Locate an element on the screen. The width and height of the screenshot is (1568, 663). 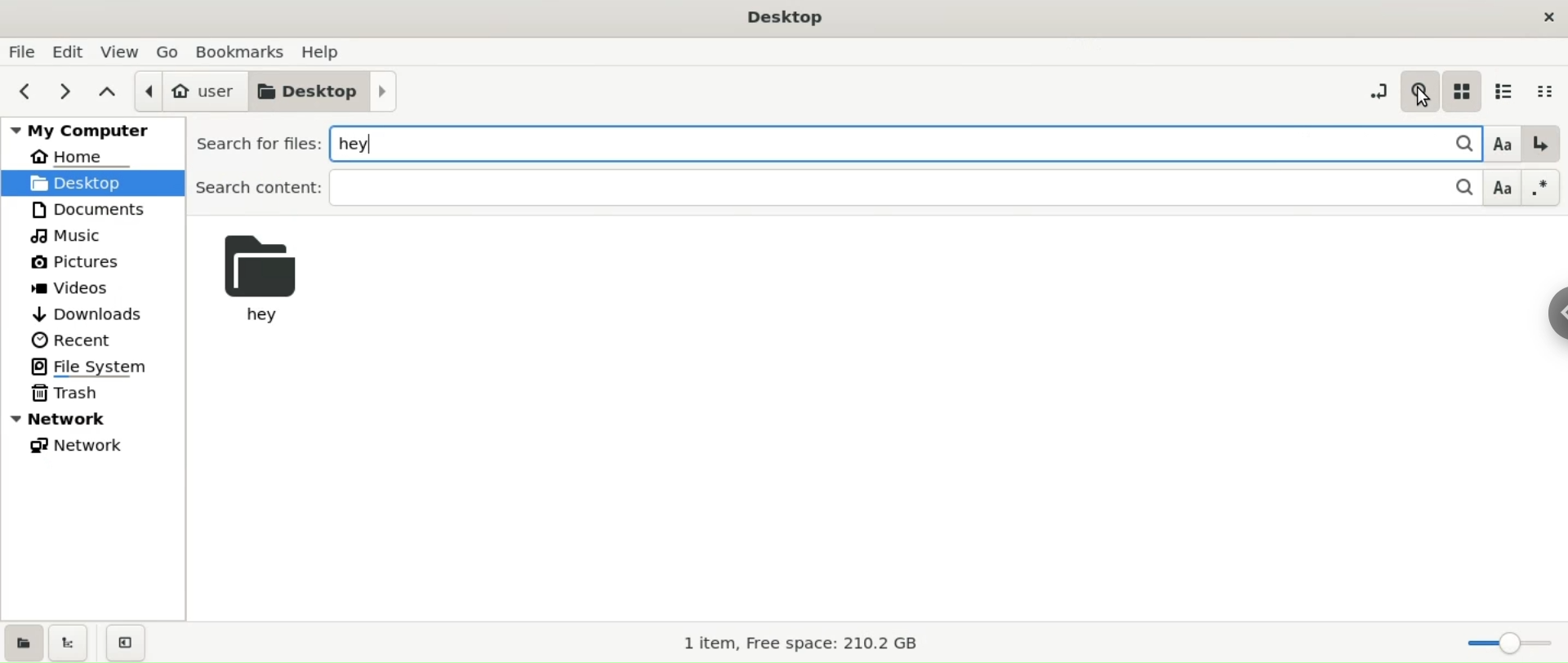
icon view is located at coordinates (1465, 93).